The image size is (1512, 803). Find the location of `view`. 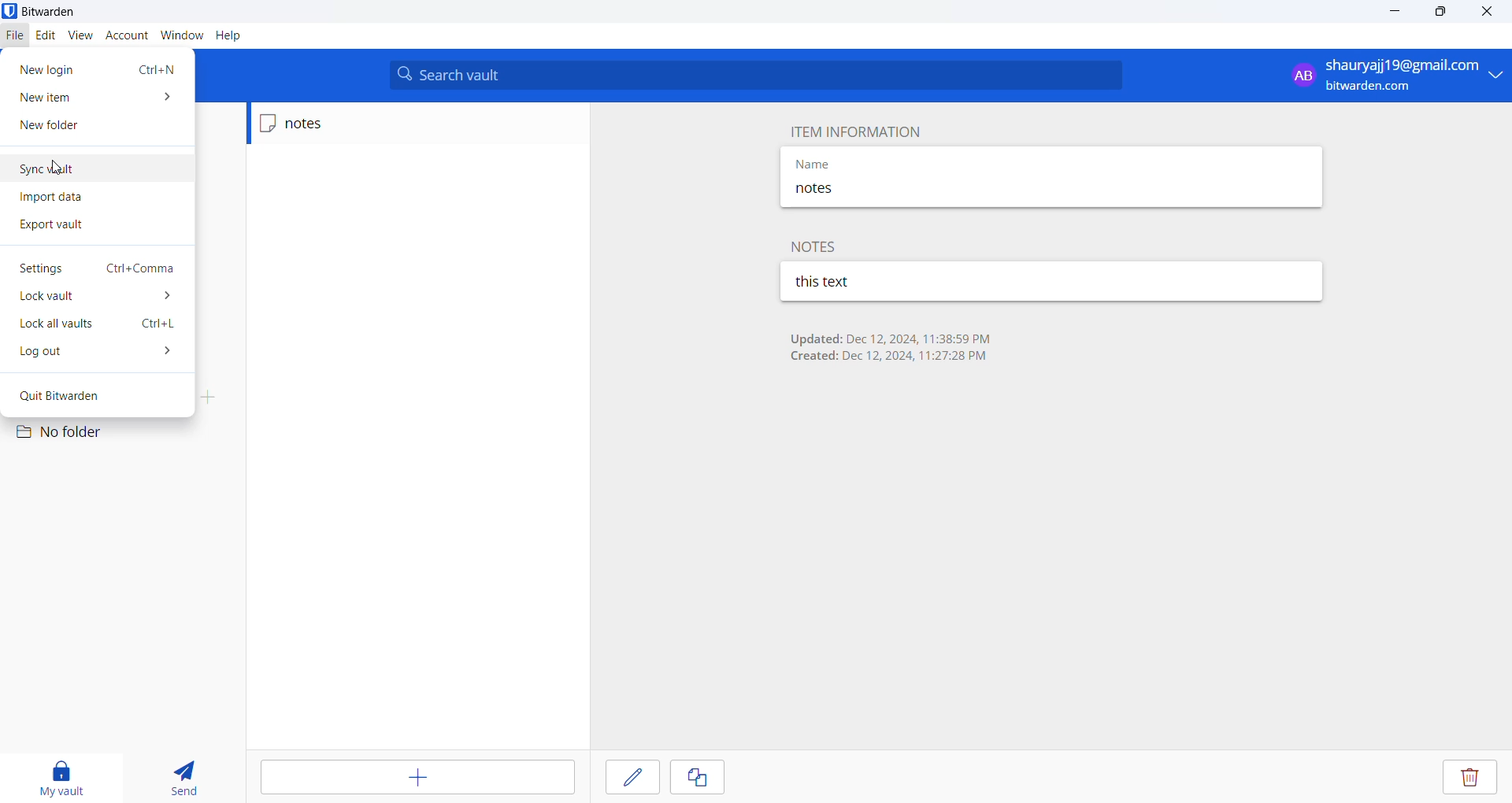

view is located at coordinates (79, 35).